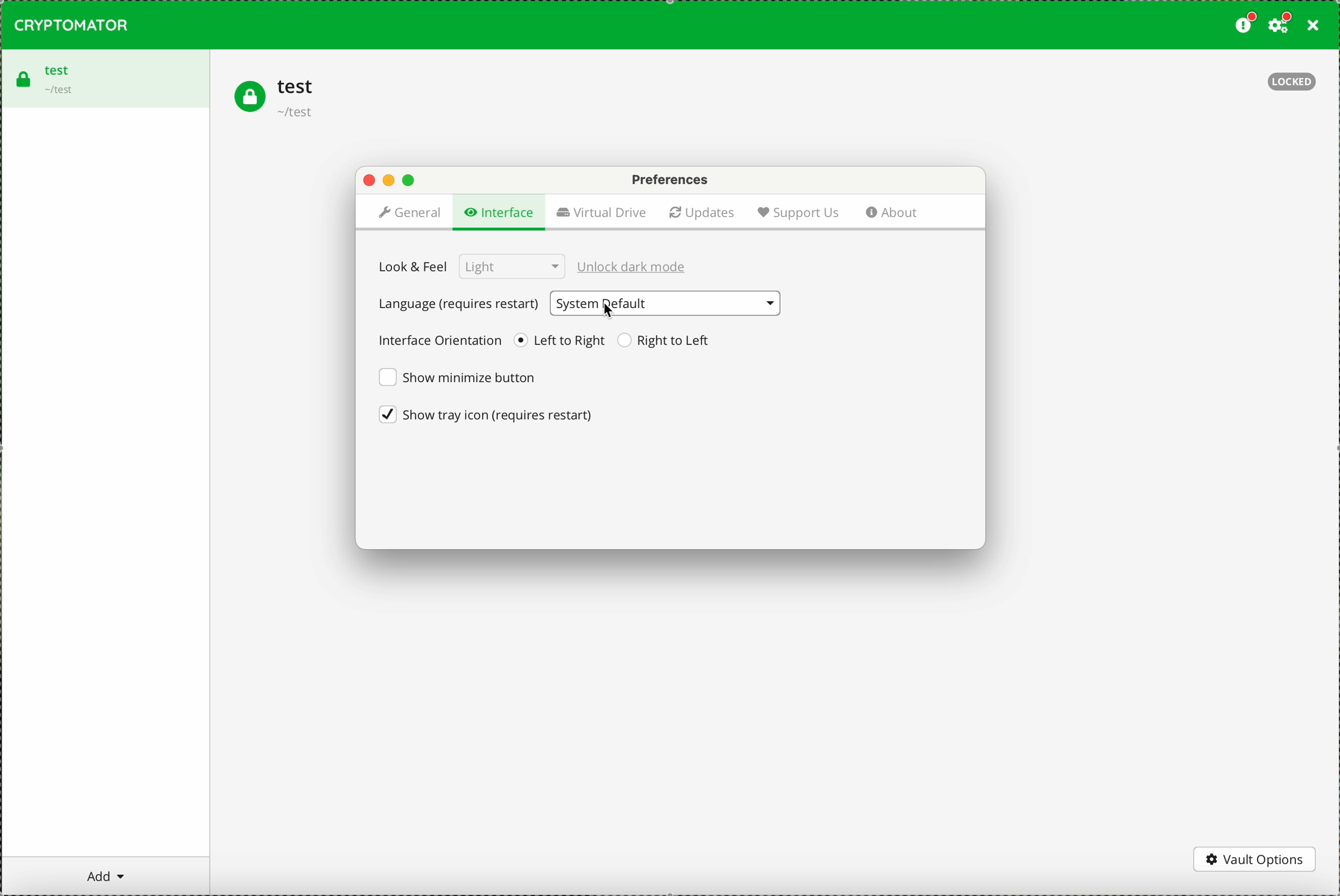 This screenshot has width=1340, height=896. What do you see at coordinates (1243, 25) in the screenshot?
I see `donate` at bounding box center [1243, 25].